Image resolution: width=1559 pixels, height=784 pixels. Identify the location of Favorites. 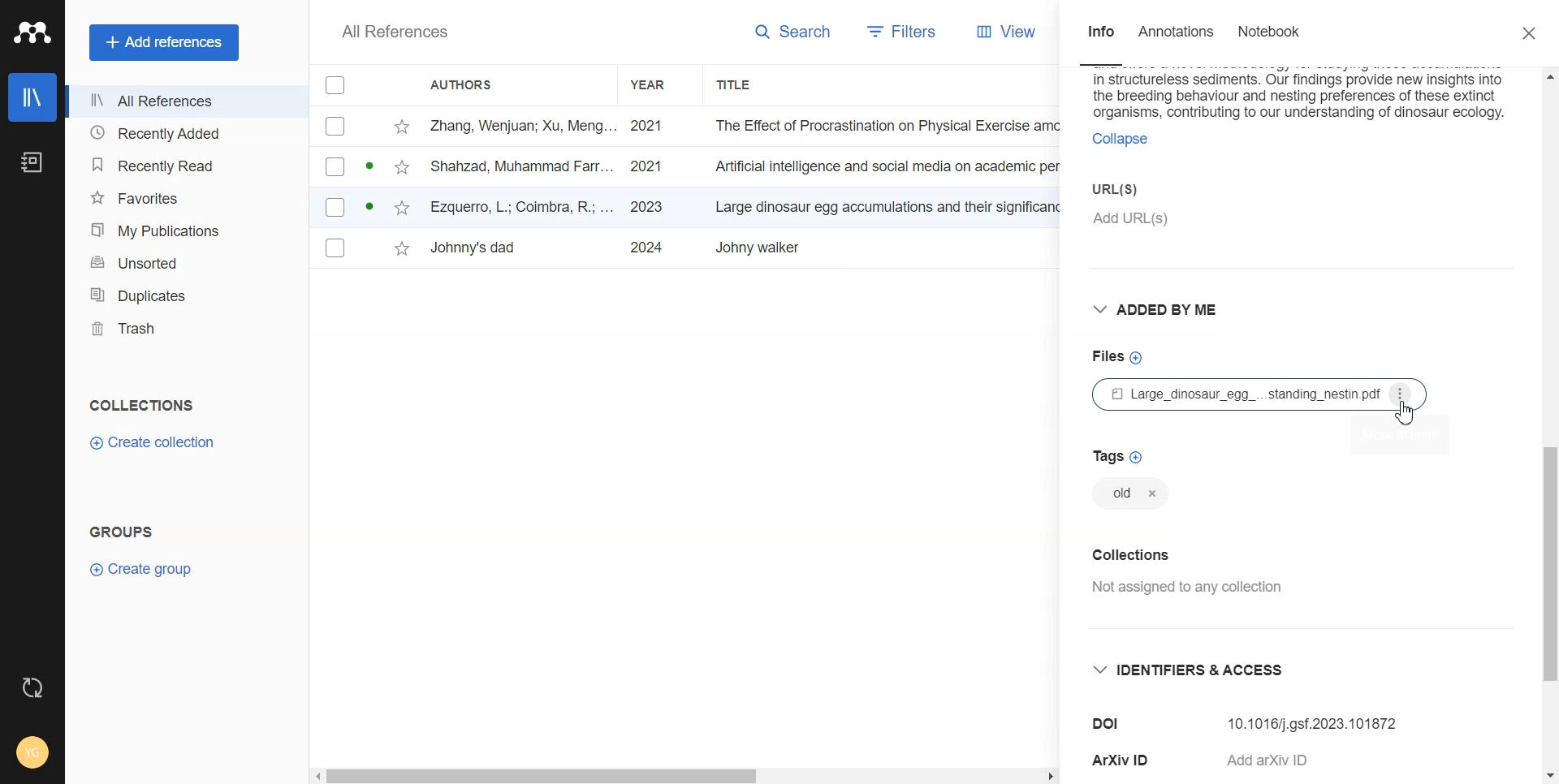
(179, 196).